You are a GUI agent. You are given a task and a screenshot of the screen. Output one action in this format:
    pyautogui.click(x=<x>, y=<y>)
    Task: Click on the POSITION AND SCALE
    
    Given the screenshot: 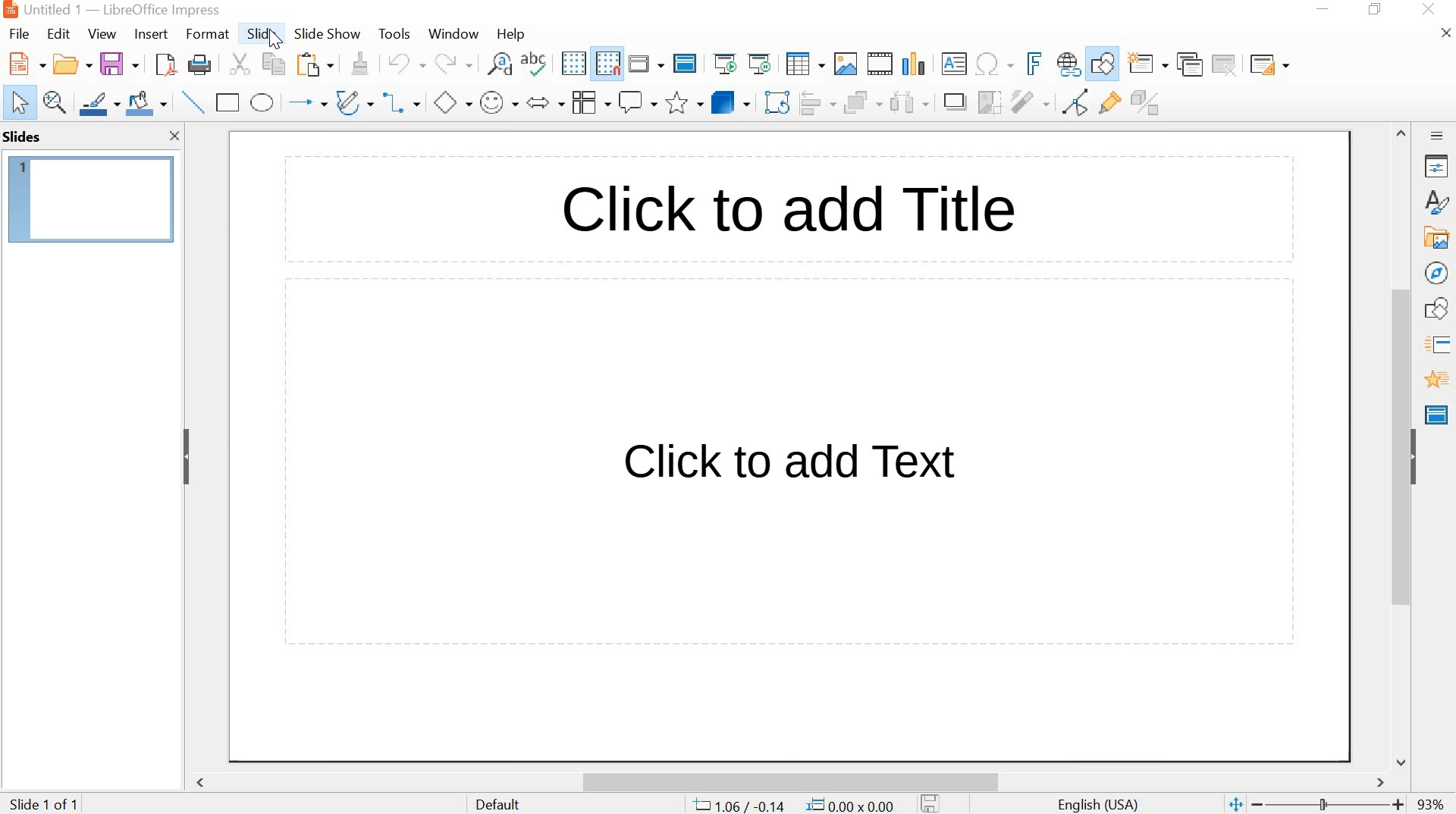 What is the action you would take?
    pyautogui.click(x=793, y=806)
    